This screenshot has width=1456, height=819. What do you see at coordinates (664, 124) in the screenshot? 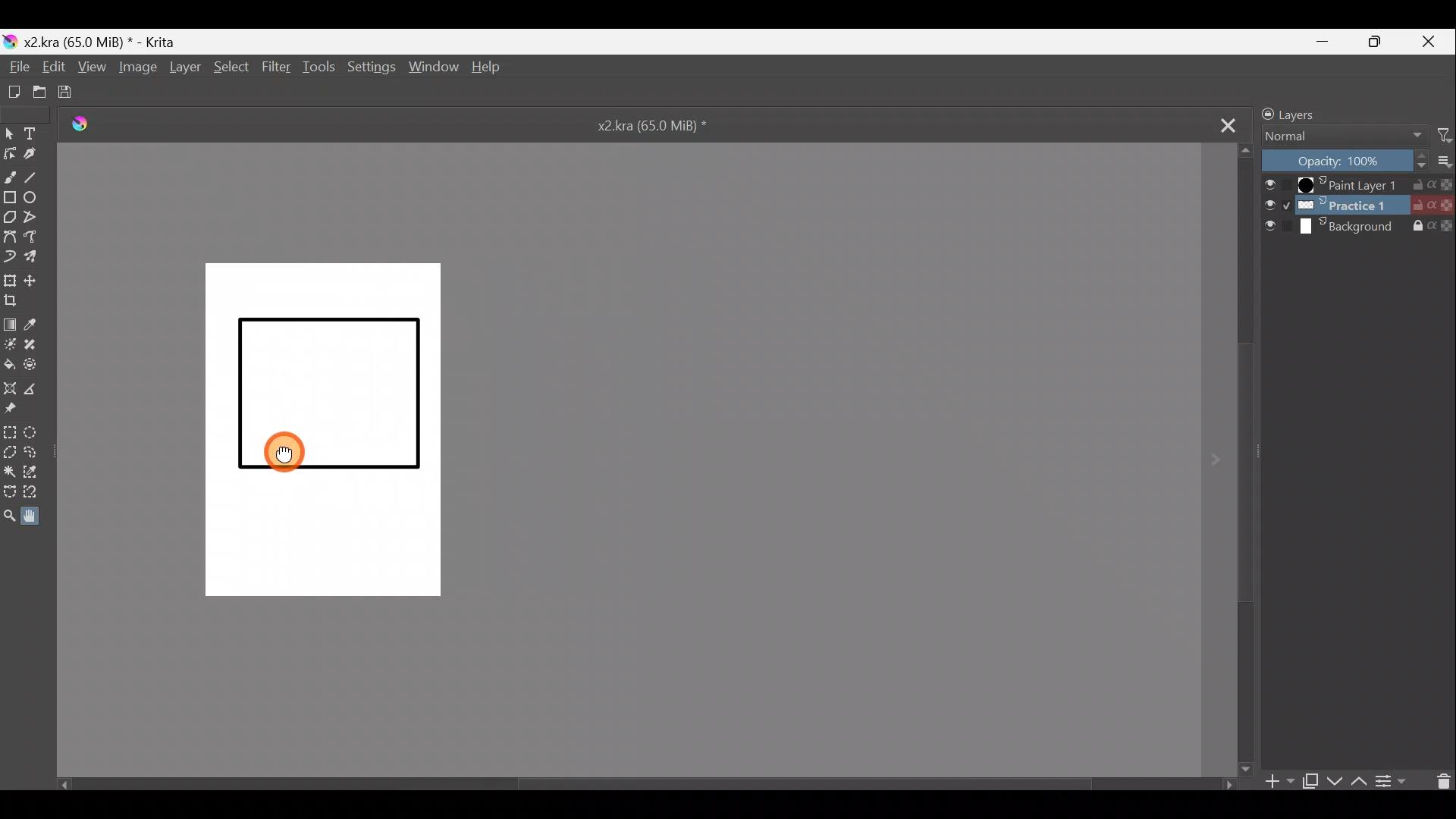
I see `x2.kra (65.0 MiB) *` at bounding box center [664, 124].